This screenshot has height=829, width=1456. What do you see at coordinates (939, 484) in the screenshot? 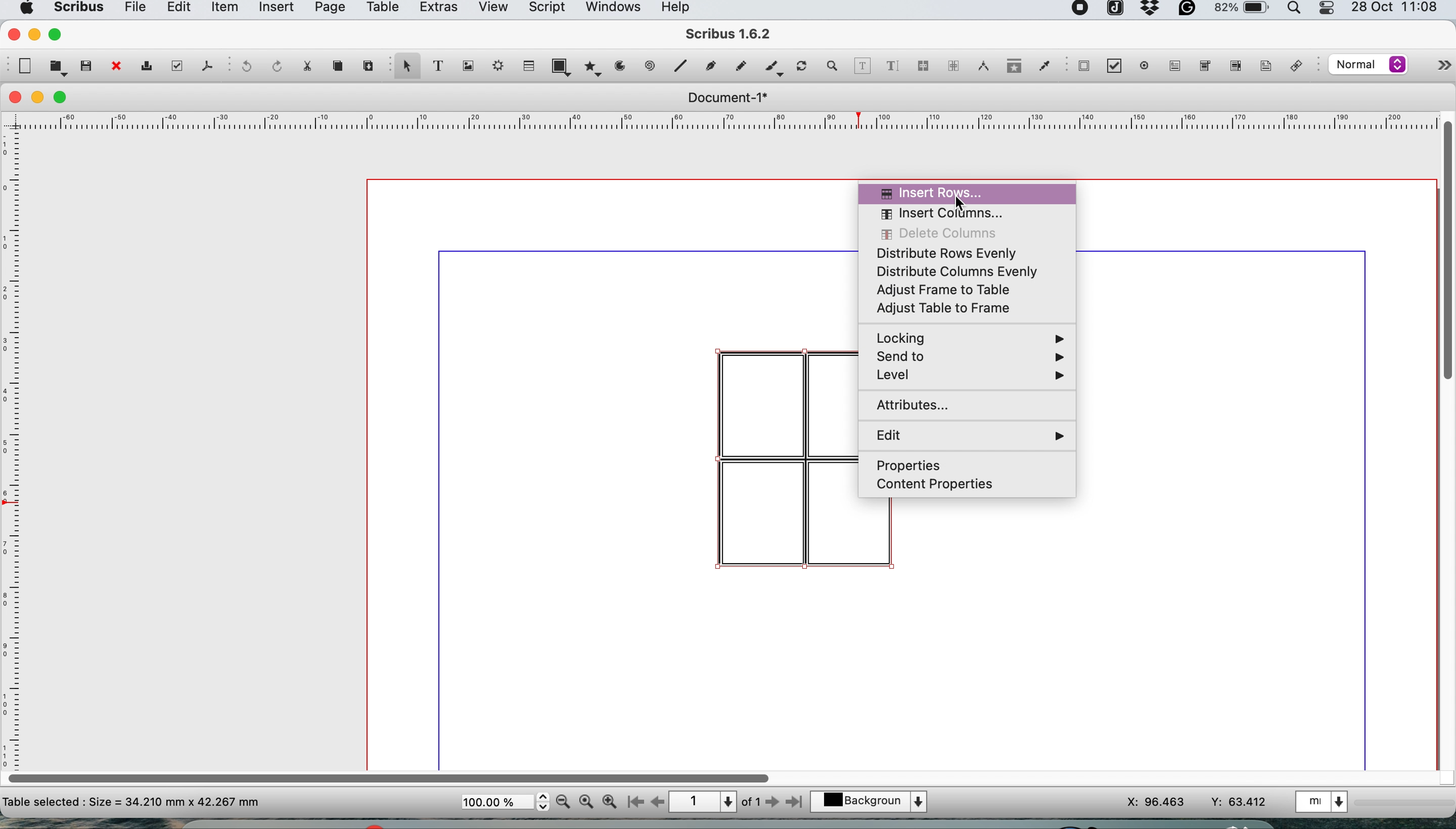
I see `content properties` at bounding box center [939, 484].